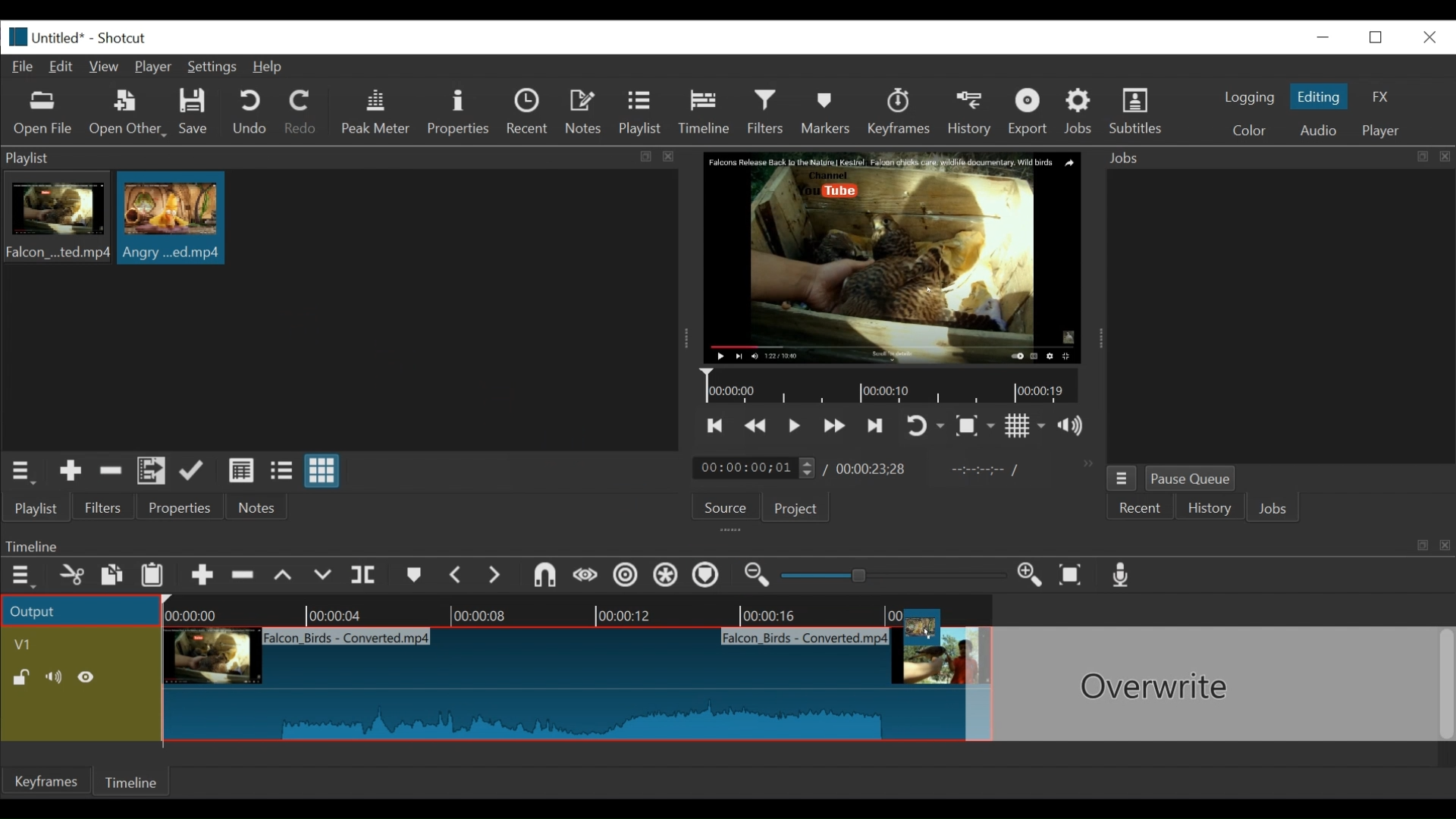  What do you see at coordinates (720, 510) in the screenshot?
I see `Source` at bounding box center [720, 510].